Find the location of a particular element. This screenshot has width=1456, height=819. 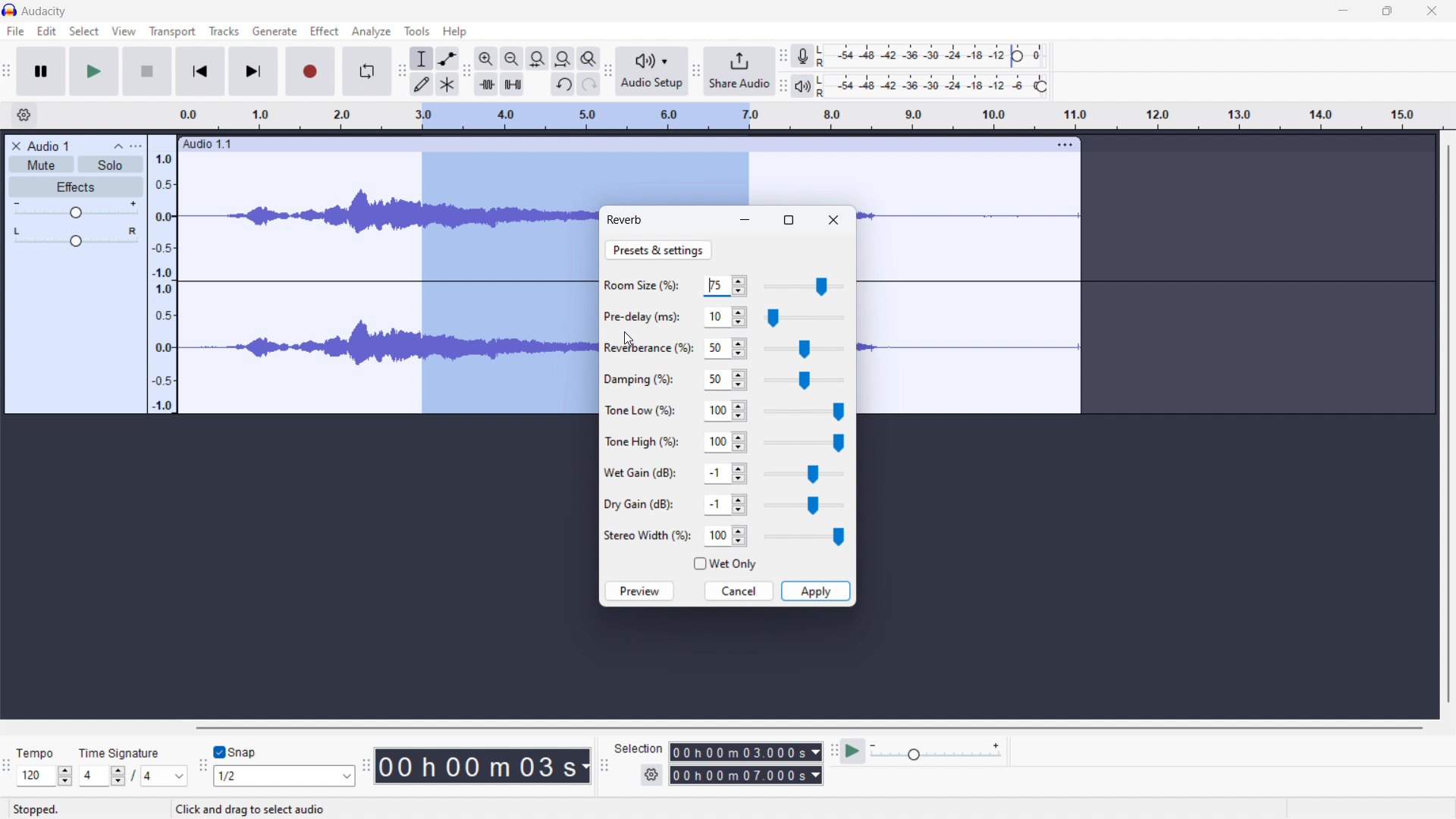

50 is located at coordinates (726, 348).